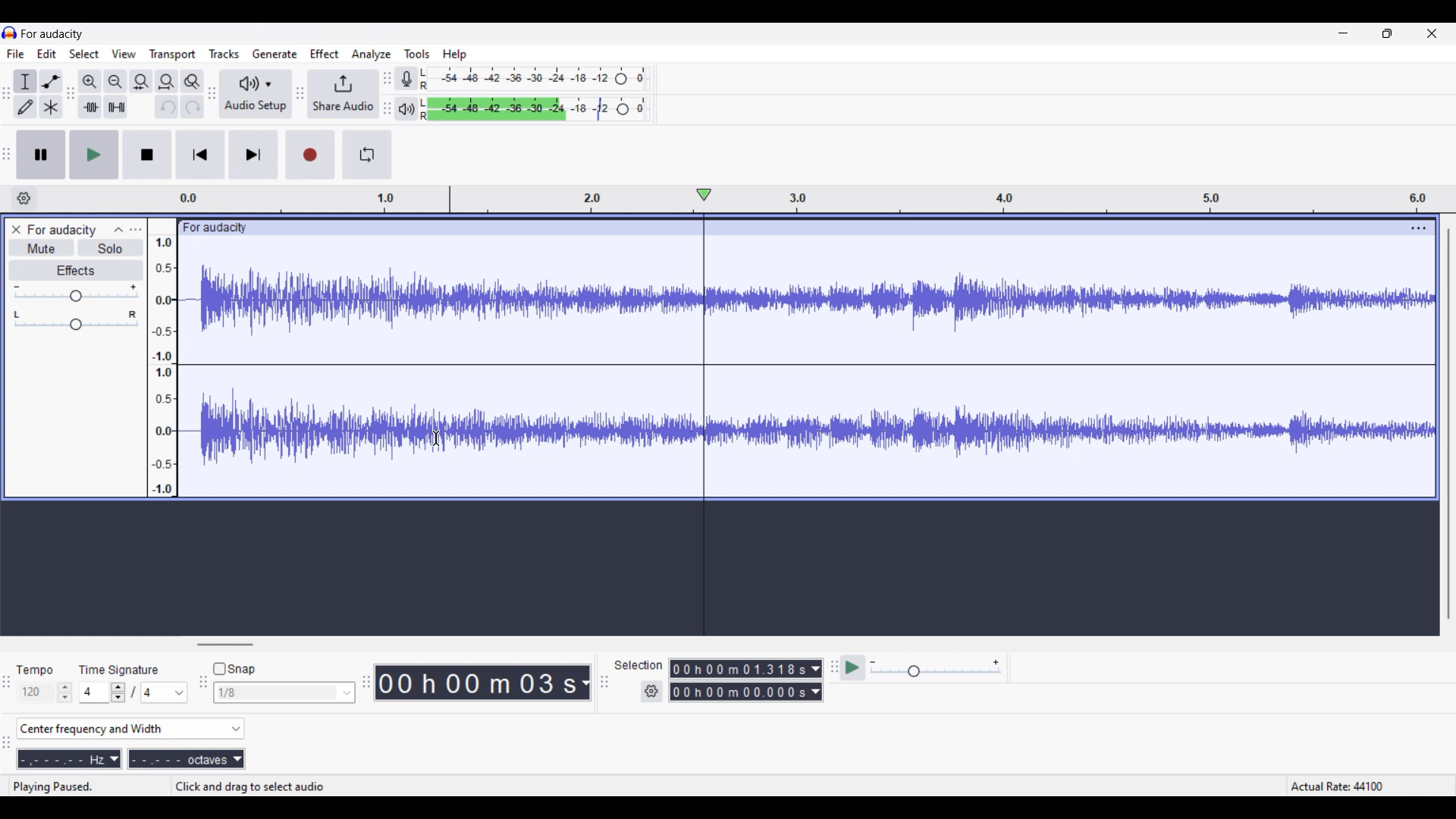 This screenshot has width=1456, height=819. What do you see at coordinates (532, 109) in the screenshot?
I see `Playback level` at bounding box center [532, 109].